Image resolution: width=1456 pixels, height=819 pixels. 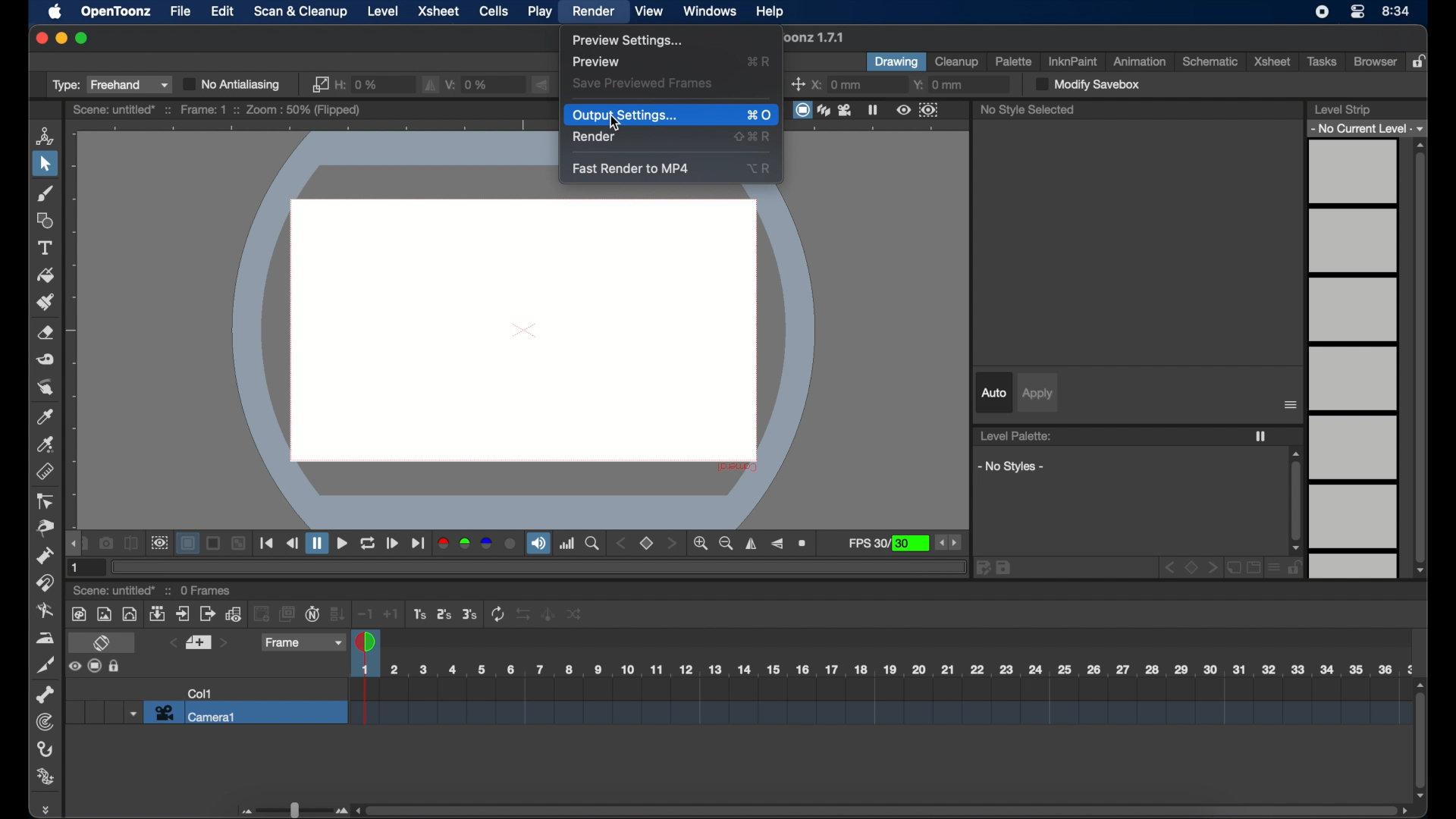 What do you see at coordinates (1012, 466) in the screenshot?
I see `no styles` at bounding box center [1012, 466].